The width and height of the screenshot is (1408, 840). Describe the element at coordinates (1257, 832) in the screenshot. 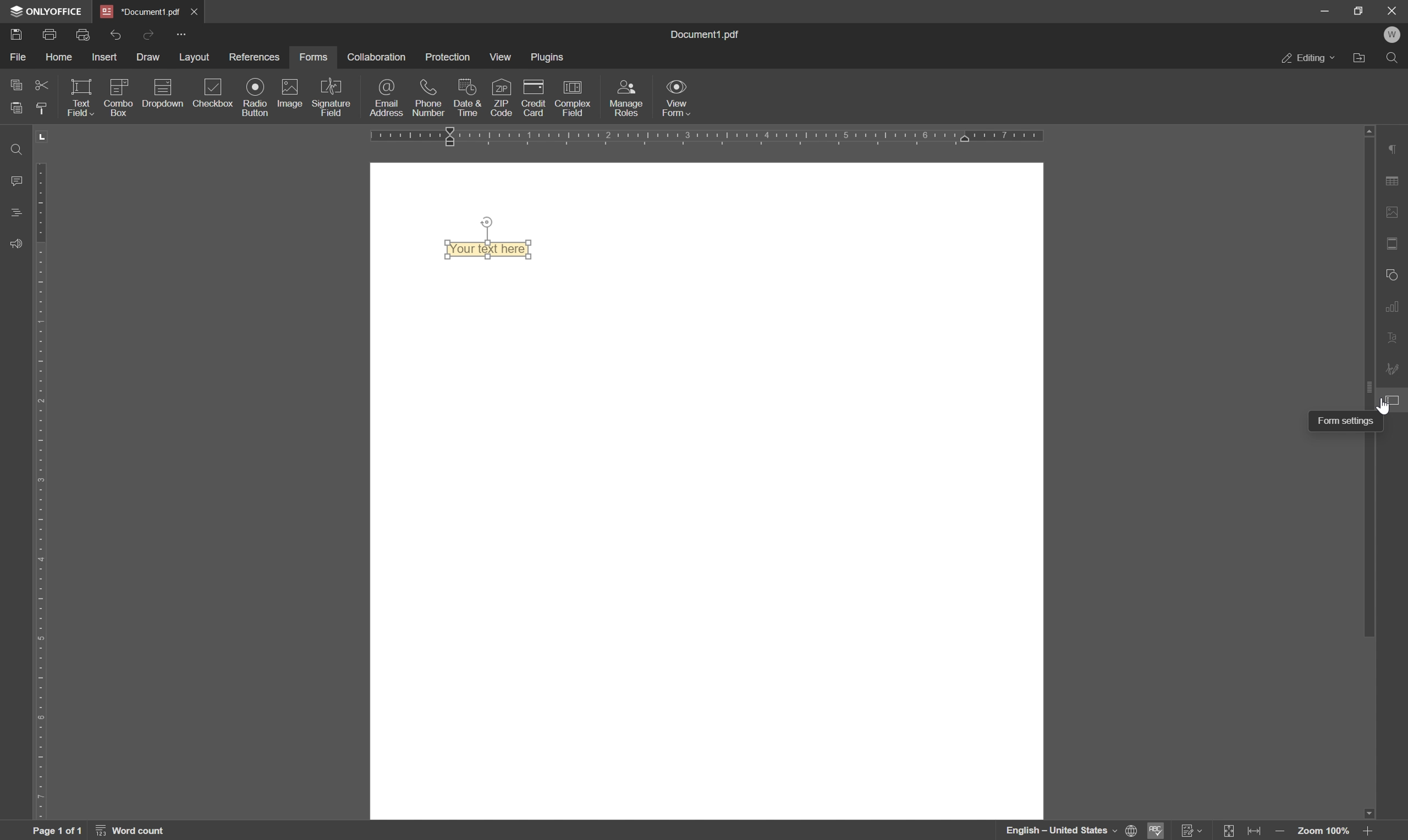

I see `fit to width` at that location.